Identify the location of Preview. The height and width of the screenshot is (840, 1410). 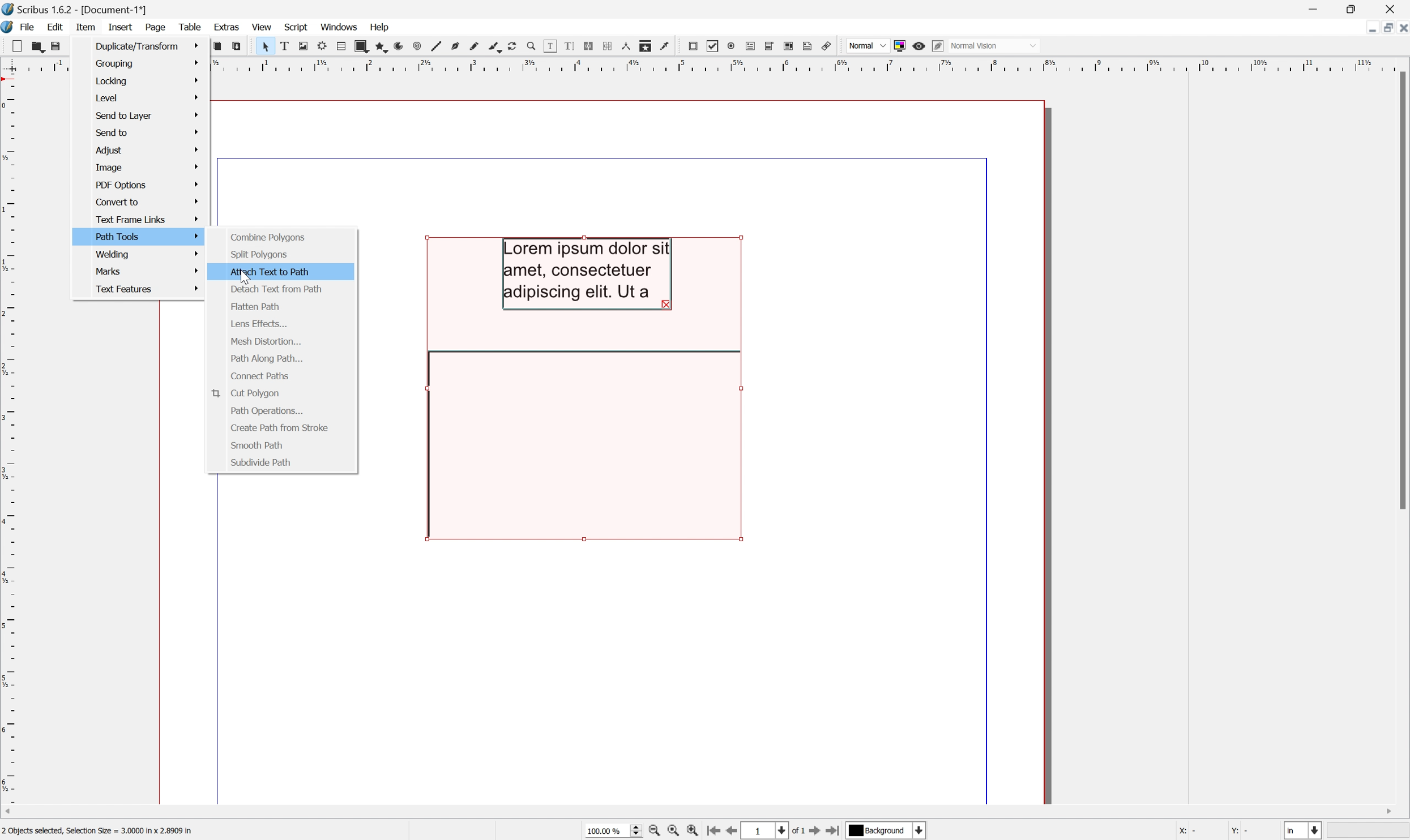
(919, 45).